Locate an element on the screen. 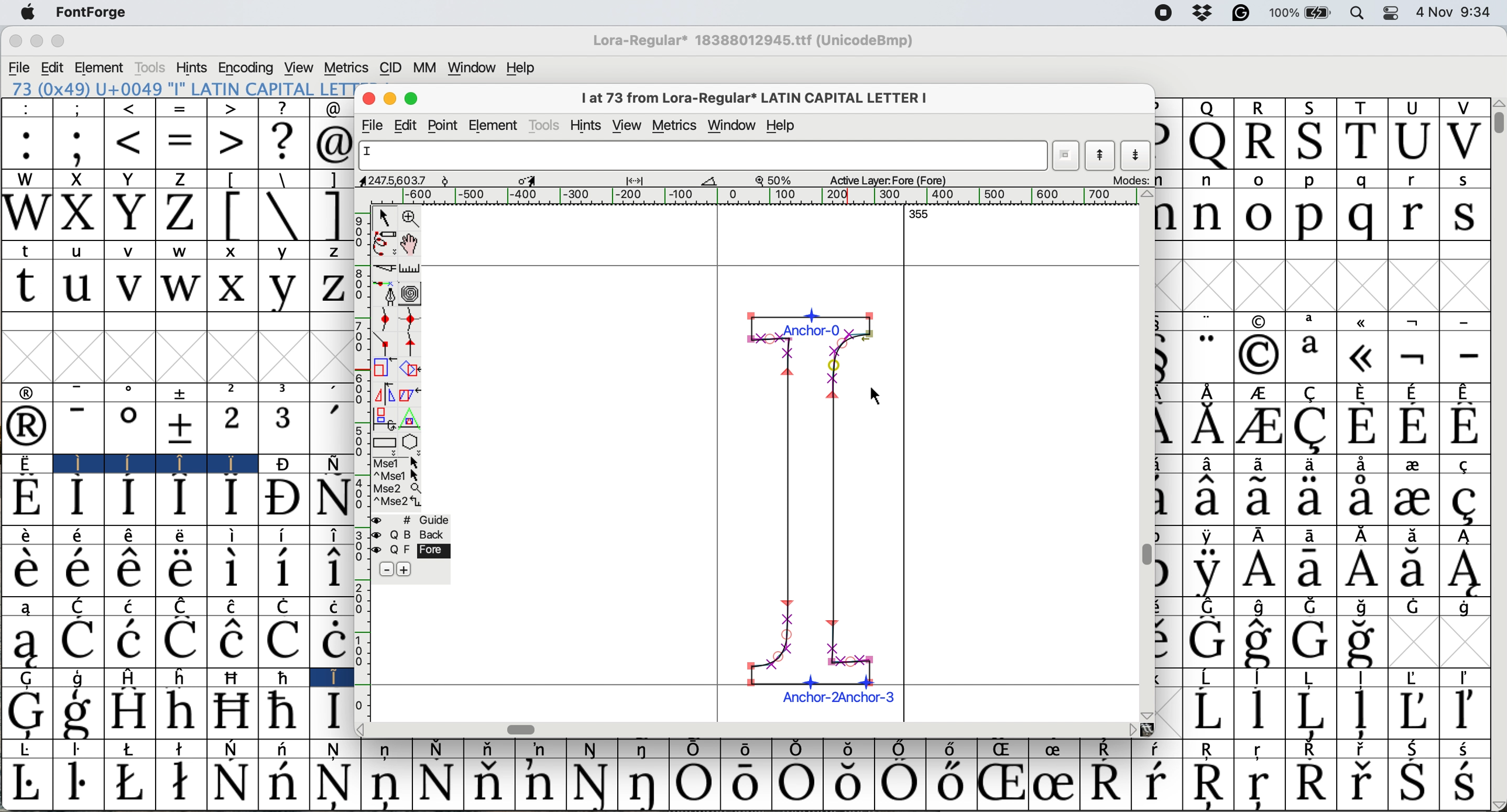 This screenshot has height=812, width=1507. Symbol is located at coordinates (78, 642).